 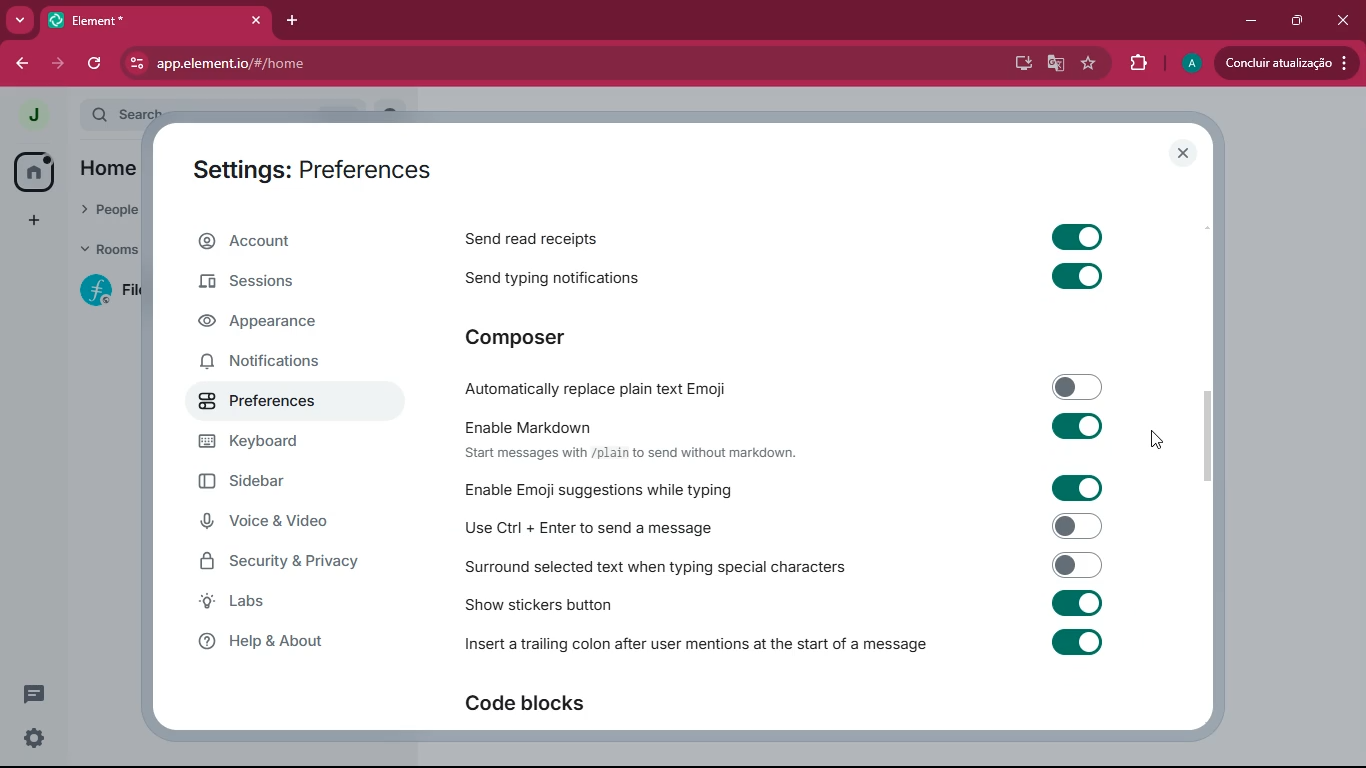 What do you see at coordinates (287, 524) in the screenshot?
I see `voice` at bounding box center [287, 524].